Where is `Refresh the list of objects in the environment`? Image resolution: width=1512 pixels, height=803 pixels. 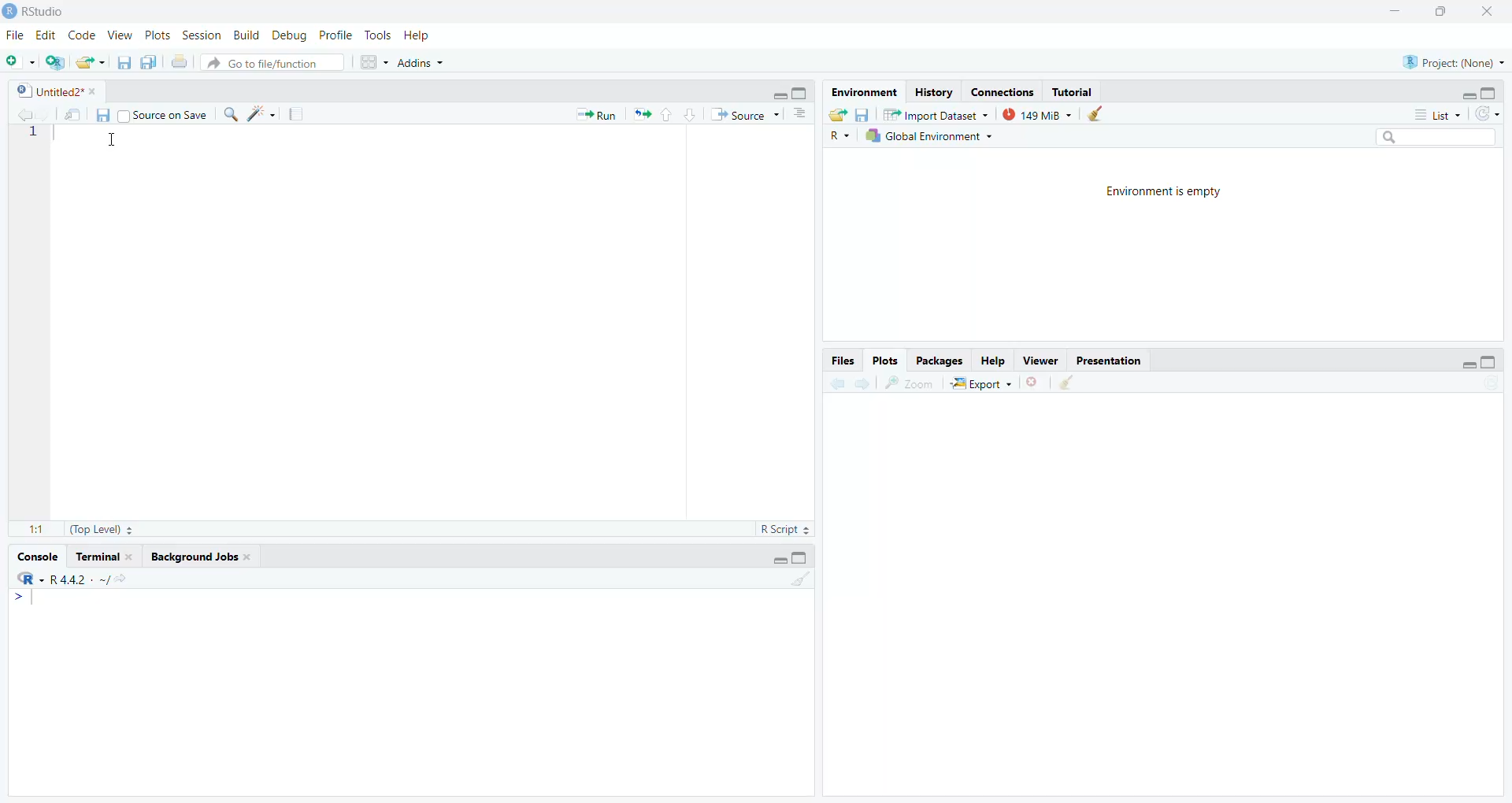
Refresh the list of objects in the environment is located at coordinates (1489, 115).